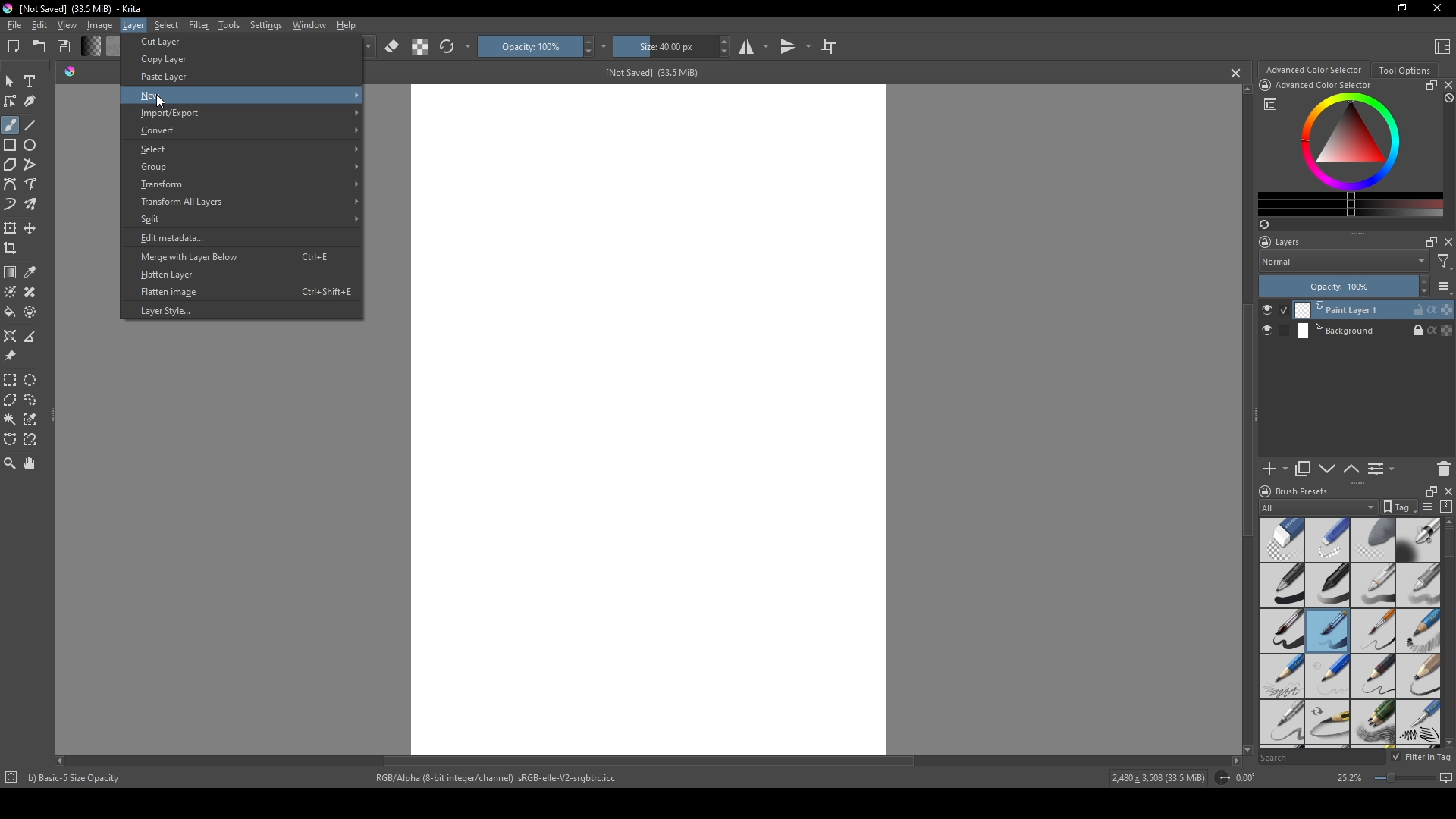 Image resolution: width=1456 pixels, height=819 pixels. I want to click on Filter, so click(198, 25).